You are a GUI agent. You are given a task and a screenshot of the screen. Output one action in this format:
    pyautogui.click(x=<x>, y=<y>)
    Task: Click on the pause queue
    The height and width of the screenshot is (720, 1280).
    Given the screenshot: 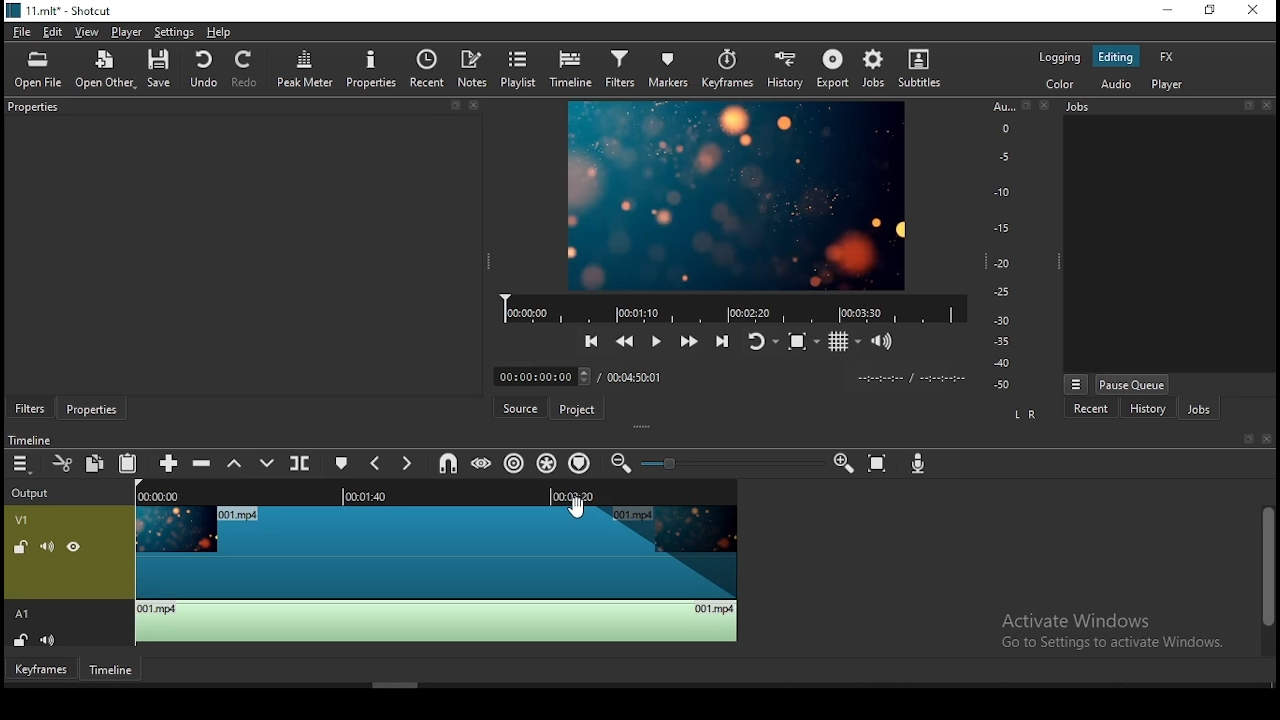 What is the action you would take?
    pyautogui.click(x=1133, y=381)
    